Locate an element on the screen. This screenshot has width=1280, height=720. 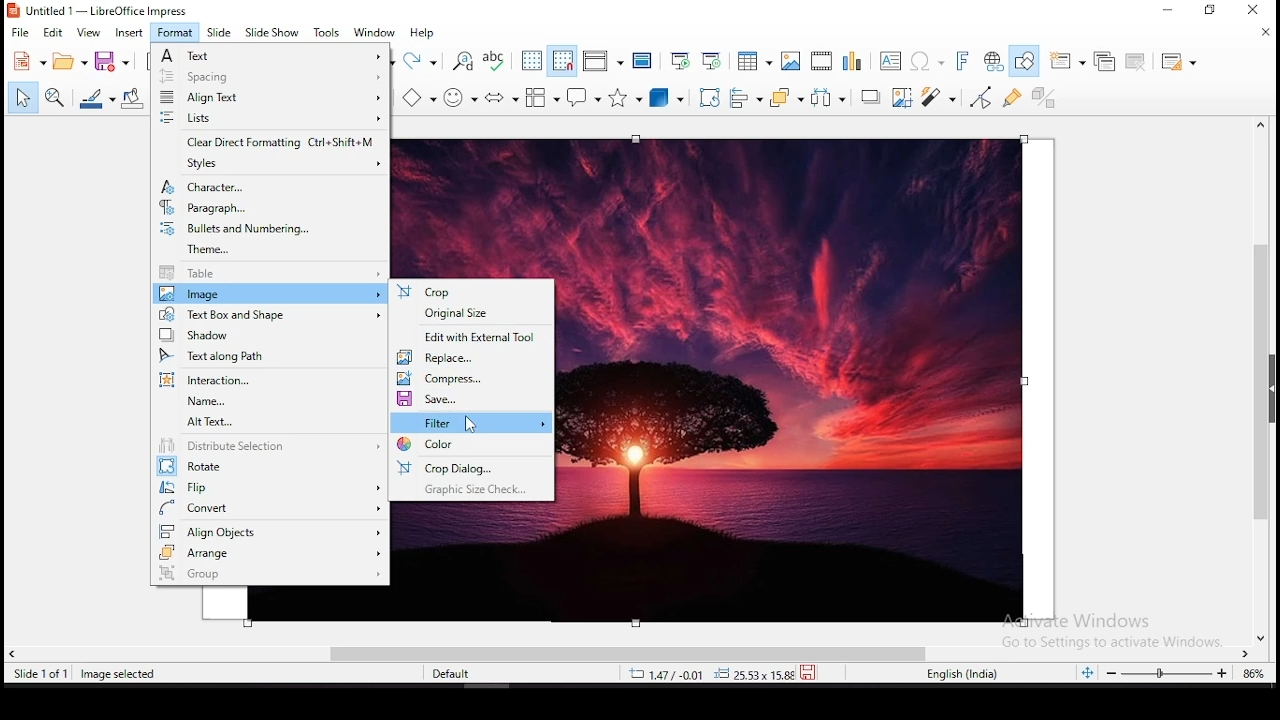
distribute segments is located at coordinates (270, 447).